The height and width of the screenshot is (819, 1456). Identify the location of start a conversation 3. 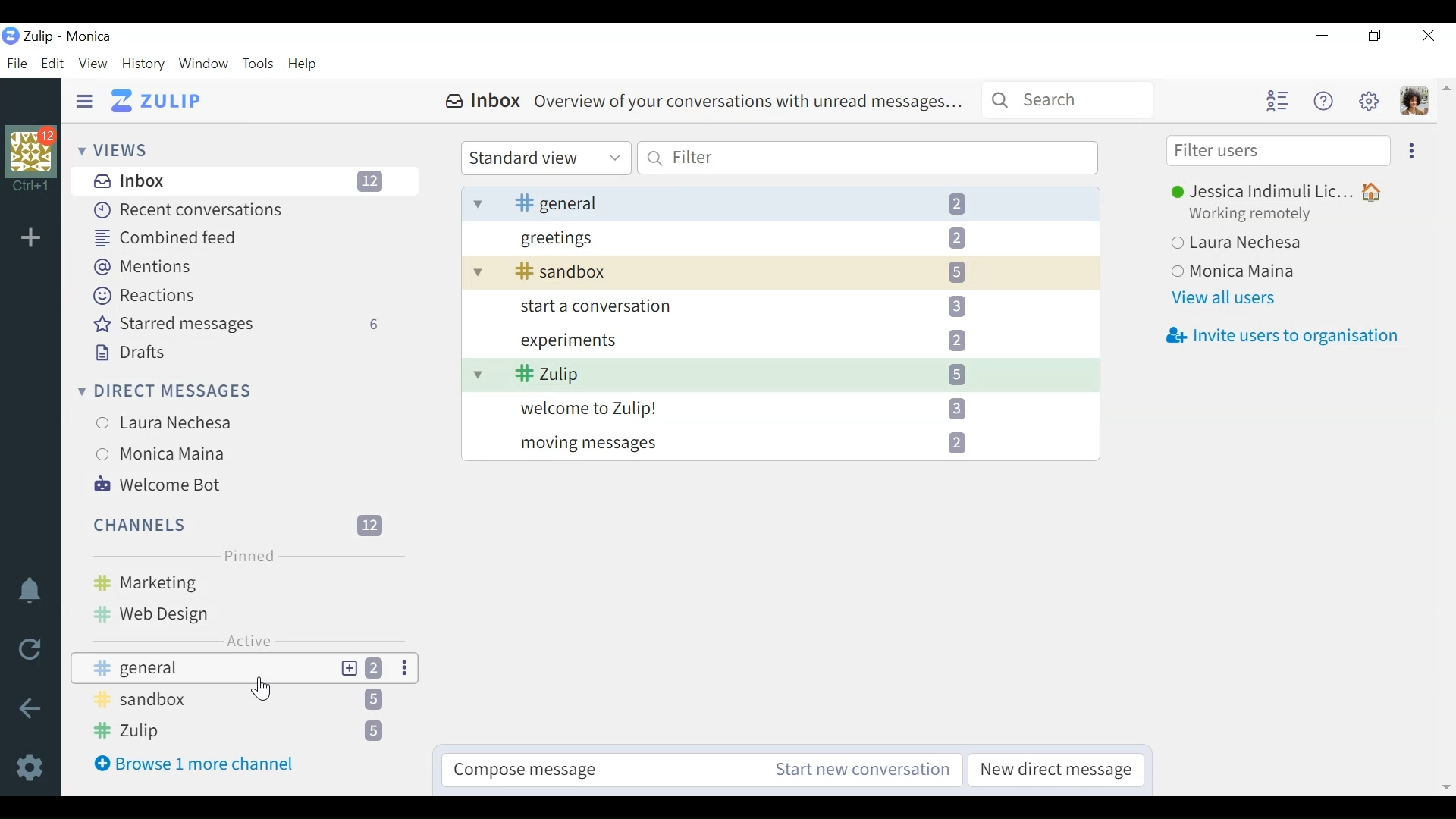
(780, 306).